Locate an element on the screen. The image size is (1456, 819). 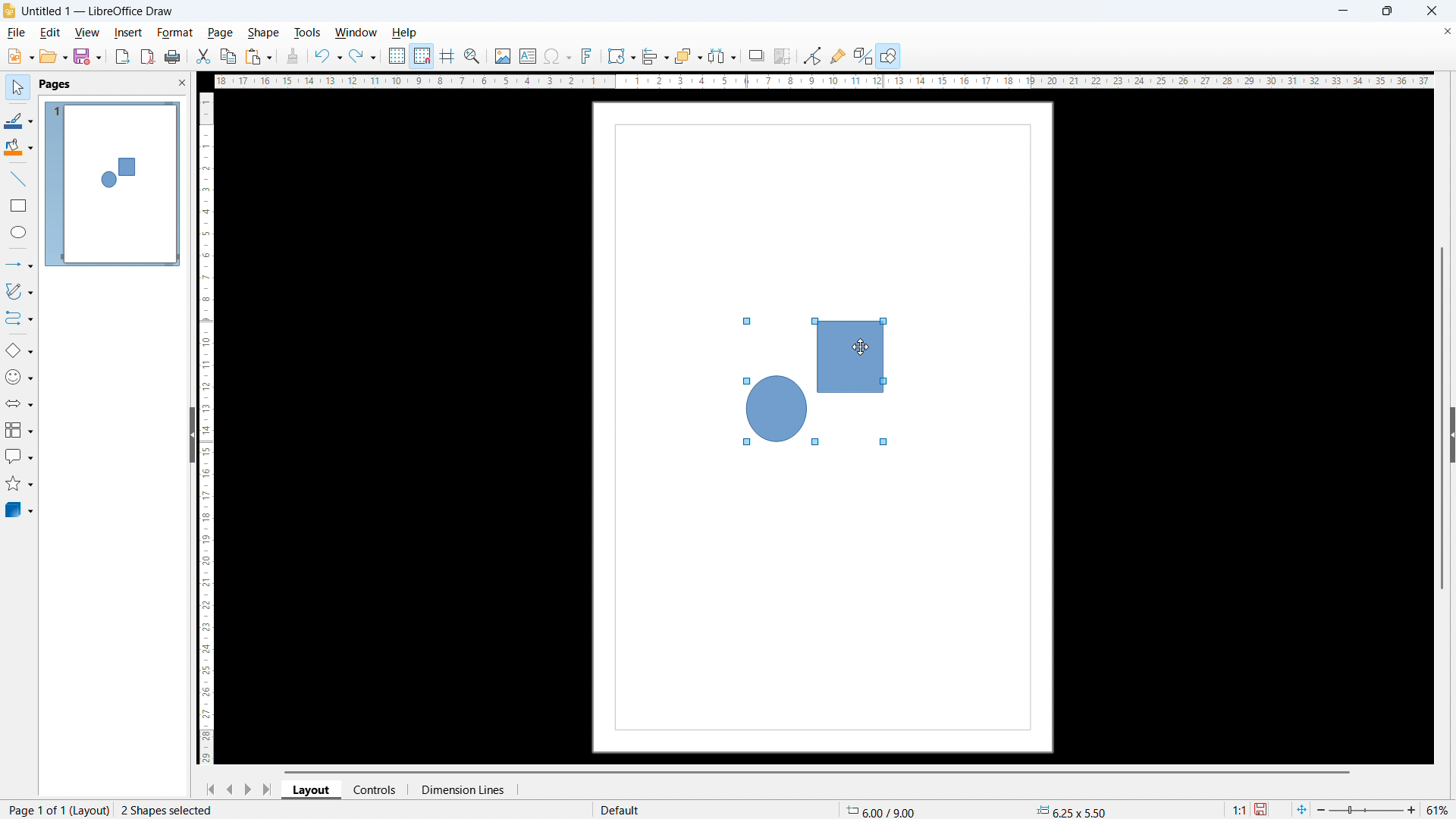
go to first page is located at coordinates (211, 789).